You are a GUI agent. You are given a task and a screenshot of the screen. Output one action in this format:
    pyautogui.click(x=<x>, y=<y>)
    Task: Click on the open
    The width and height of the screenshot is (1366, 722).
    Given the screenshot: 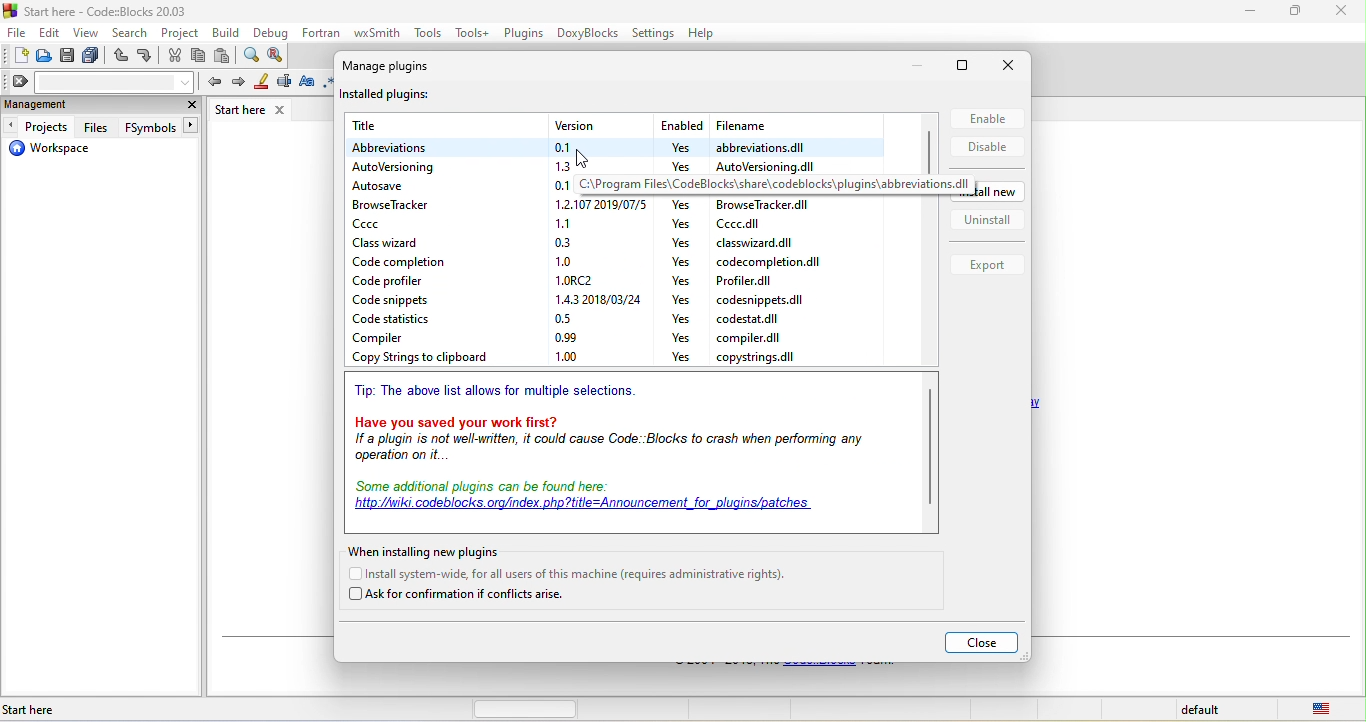 What is the action you would take?
    pyautogui.click(x=45, y=56)
    